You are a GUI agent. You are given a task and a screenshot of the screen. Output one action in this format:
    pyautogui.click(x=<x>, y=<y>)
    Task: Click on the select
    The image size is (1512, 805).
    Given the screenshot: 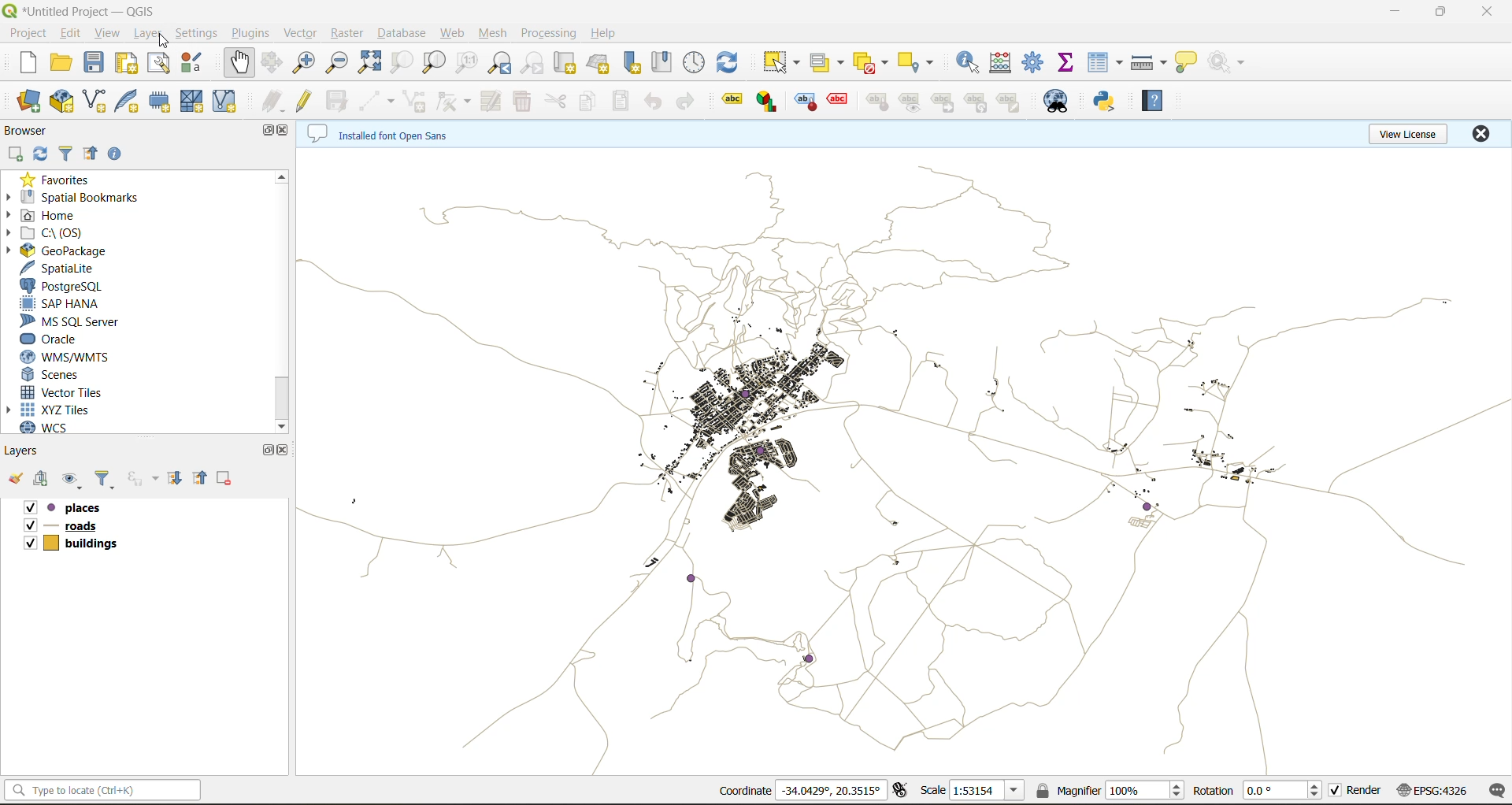 What is the action you would take?
    pyautogui.click(x=783, y=65)
    